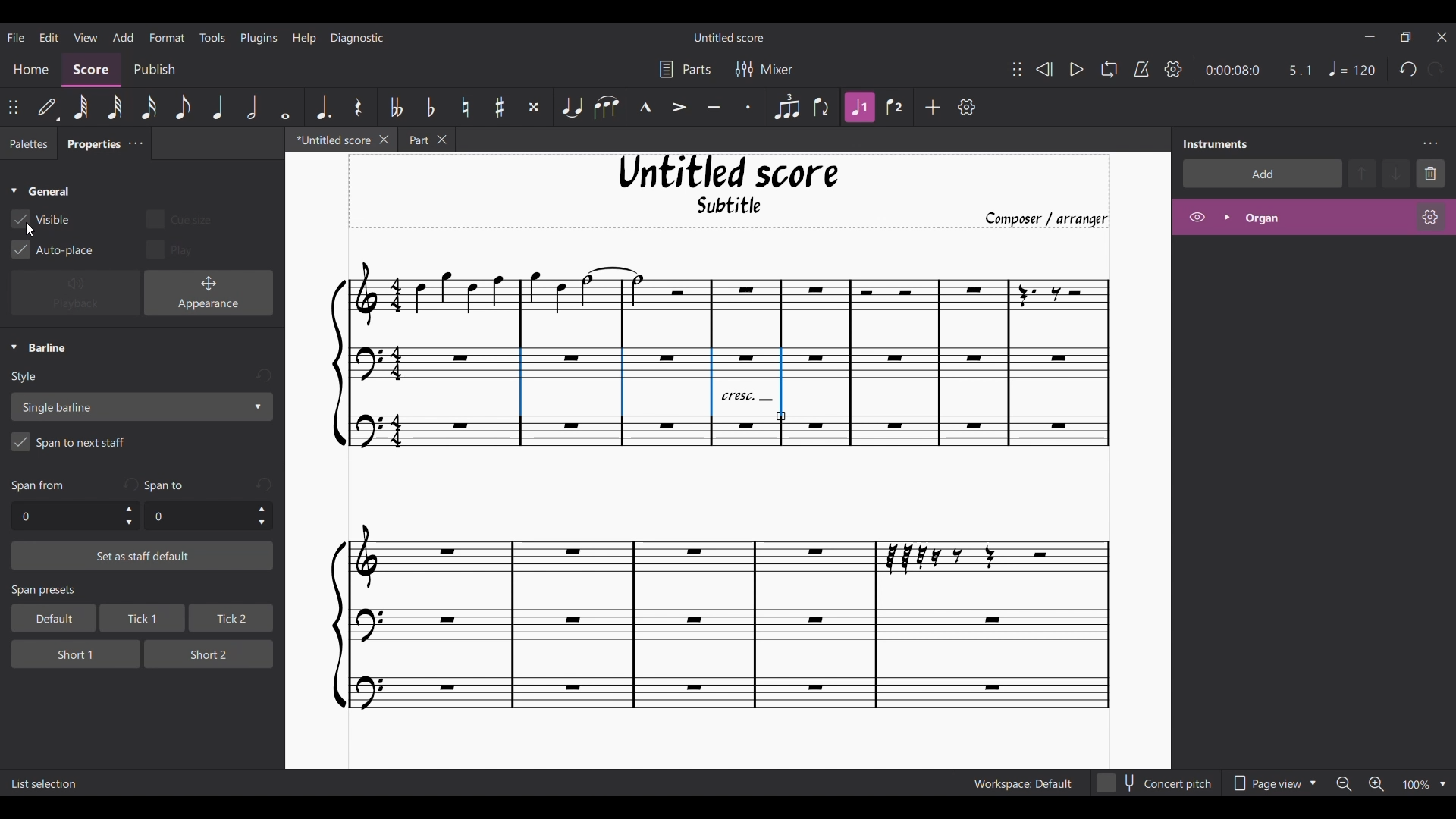 Image resolution: width=1456 pixels, height=819 pixels. Describe the element at coordinates (209, 293) in the screenshot. I see `Appearance` at that location.